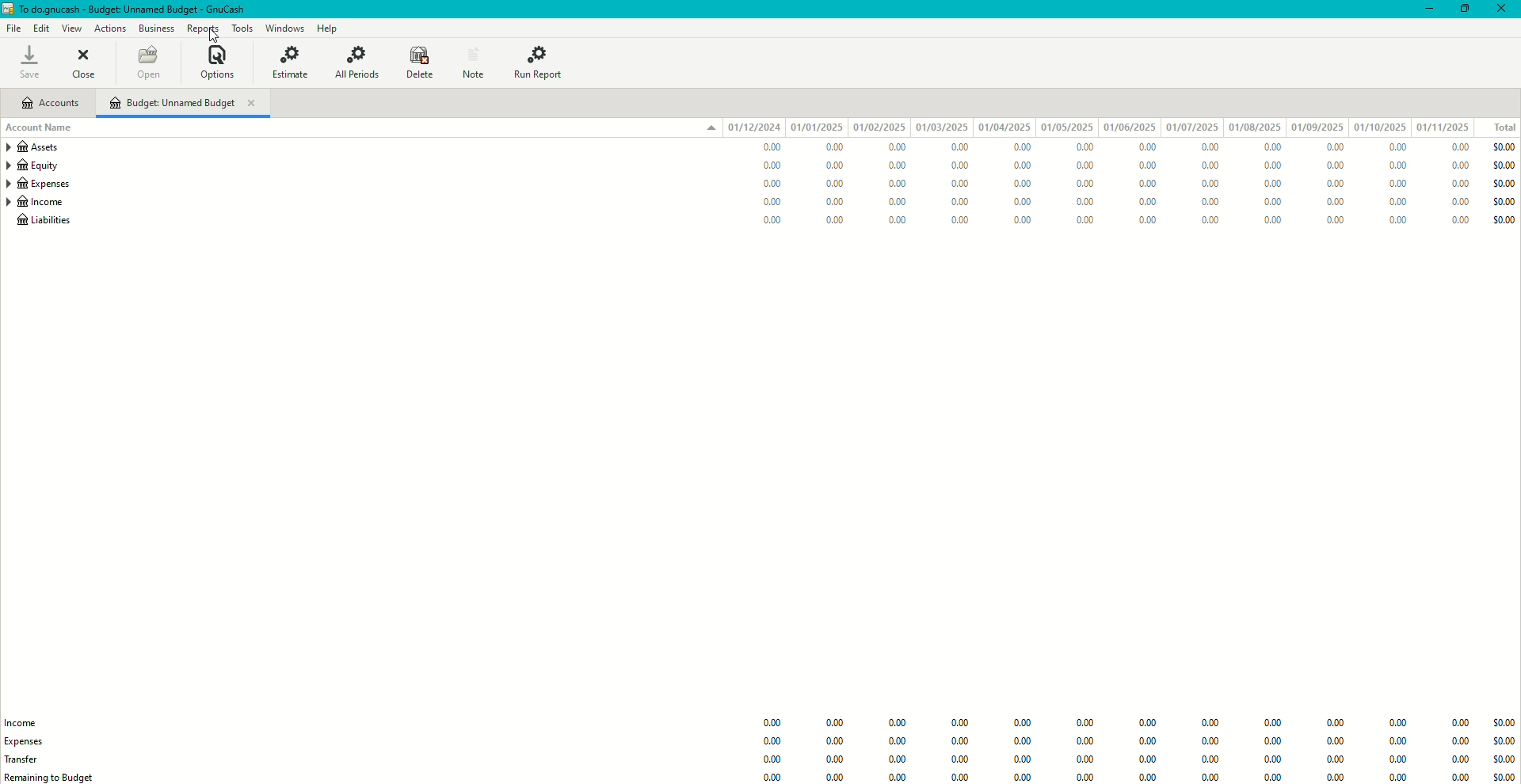 This screenshot has height=784, width=1521. Describe the element at coordinates (1087, 743) in the screenshot. I see `0.00` at that location.